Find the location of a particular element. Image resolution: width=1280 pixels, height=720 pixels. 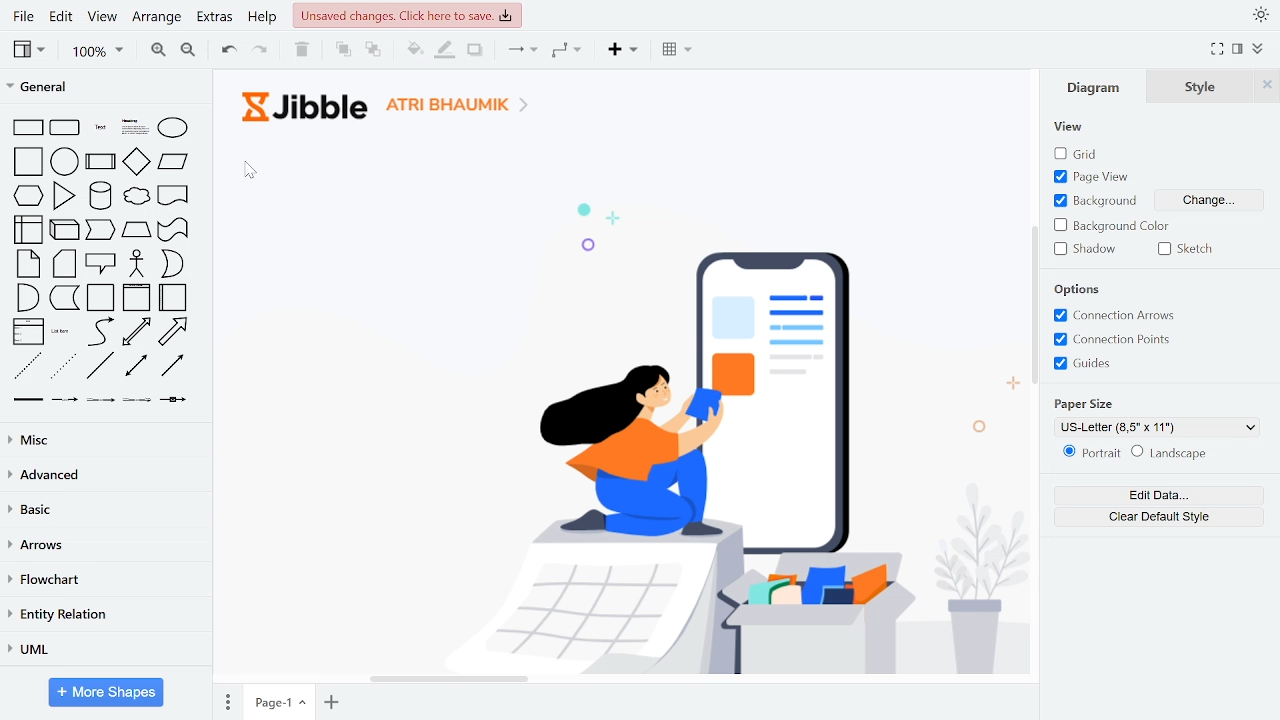

add page is located at coordinates (330, 703).